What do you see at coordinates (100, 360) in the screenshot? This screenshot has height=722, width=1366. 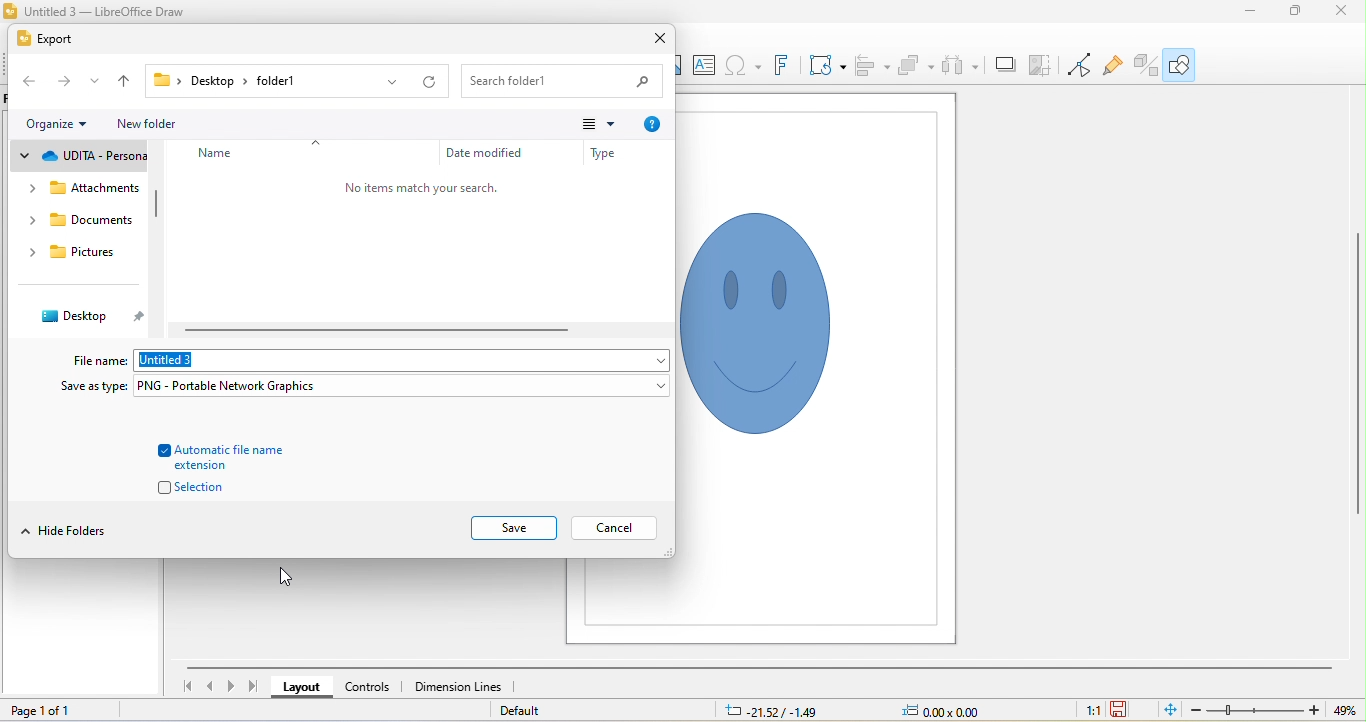 I see `file name` at bounding box center [100, 360].